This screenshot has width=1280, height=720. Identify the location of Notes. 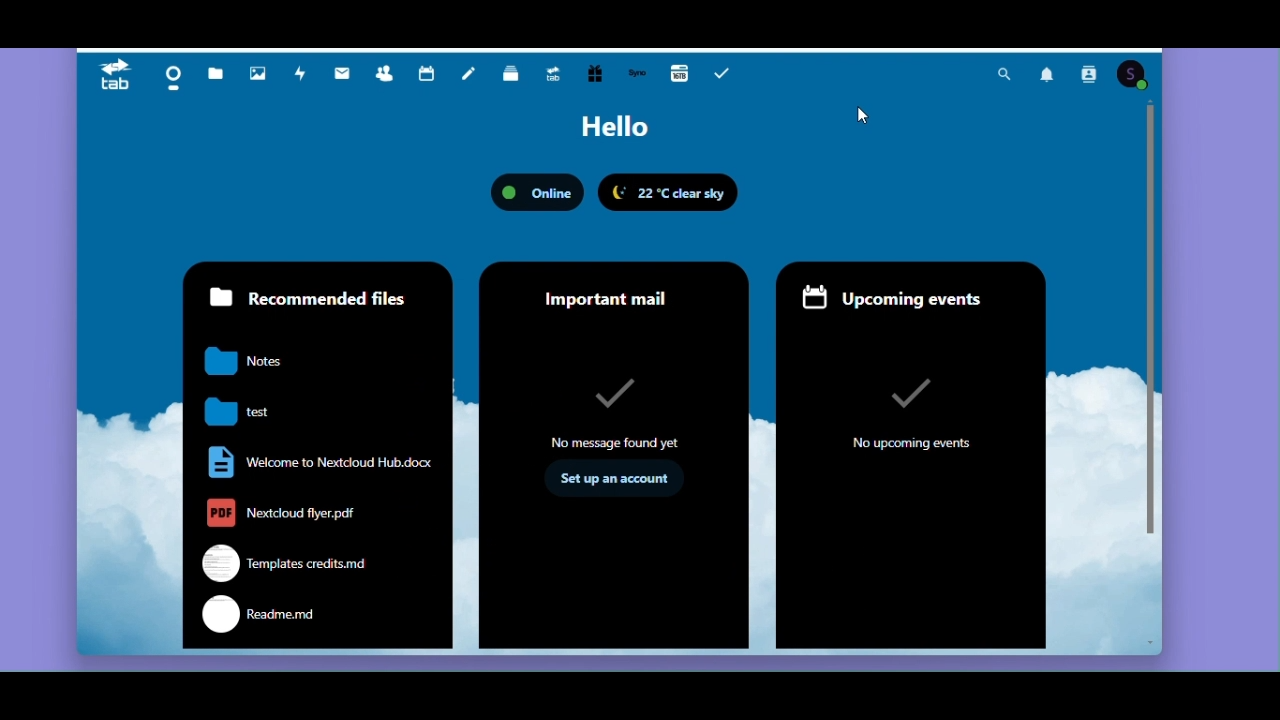
(470, 77).